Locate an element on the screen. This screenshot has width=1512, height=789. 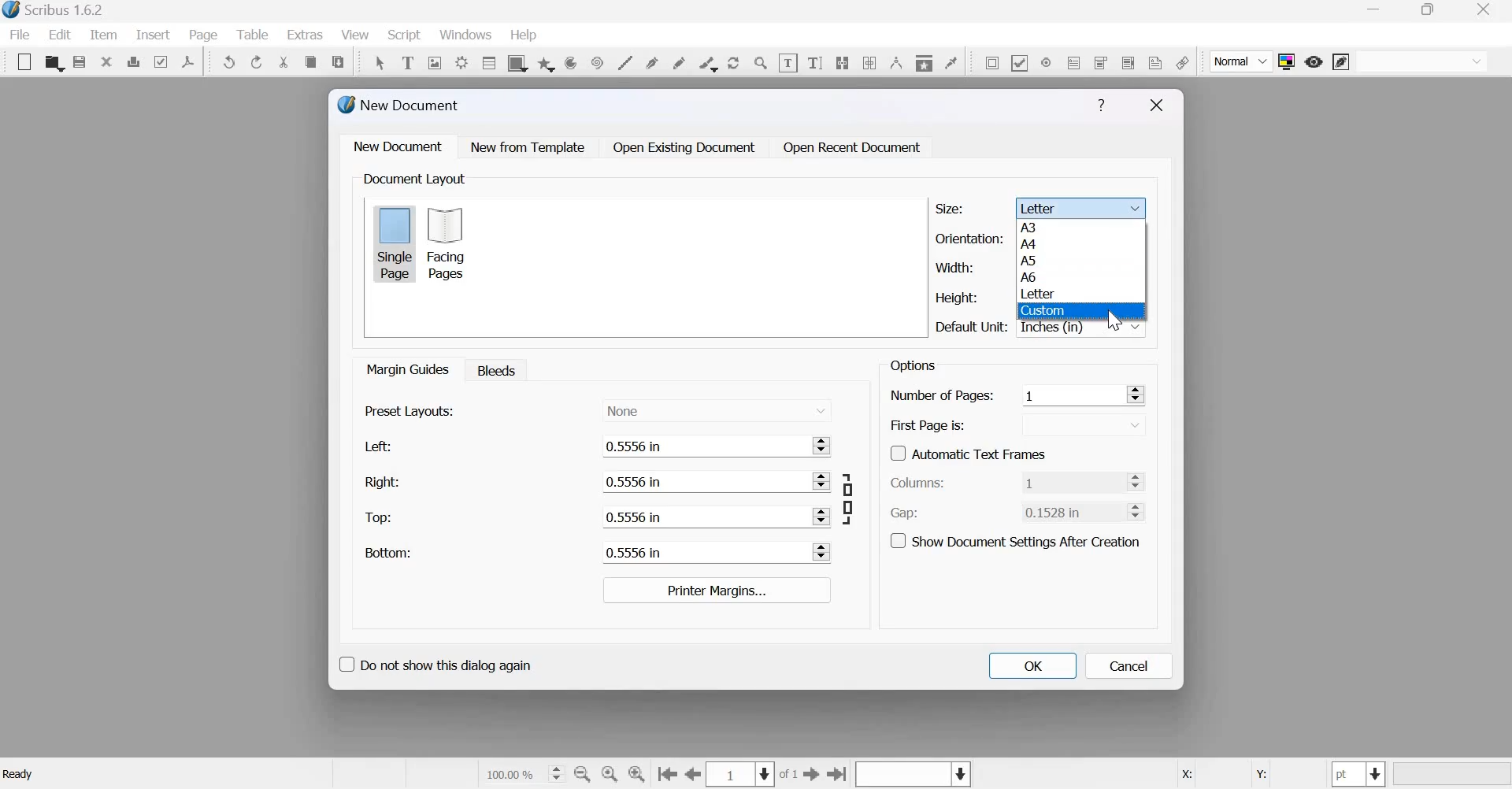
Ready is located at coordinates (20, 774).